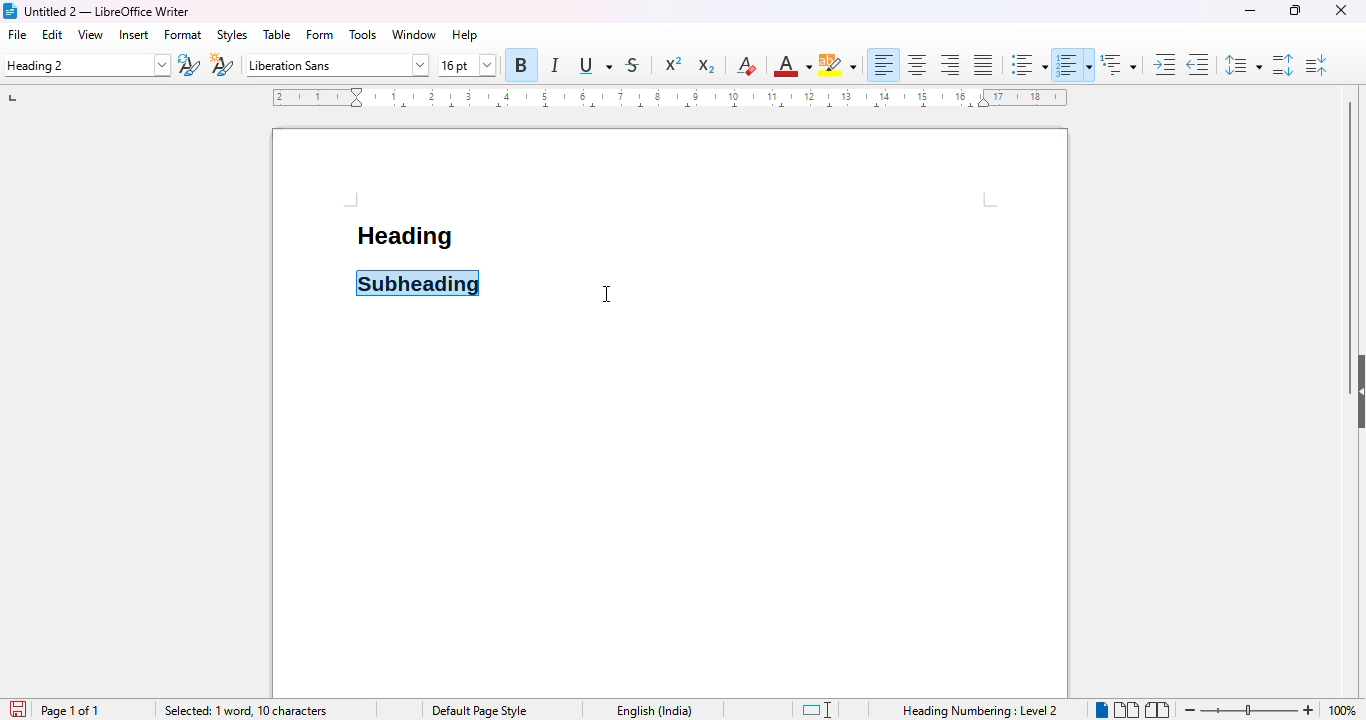 The height and width of the screenshot is (720, 1366). Describe the element at coordinates (1163, 64) in the screenshot. I see `increase indent` at that location.